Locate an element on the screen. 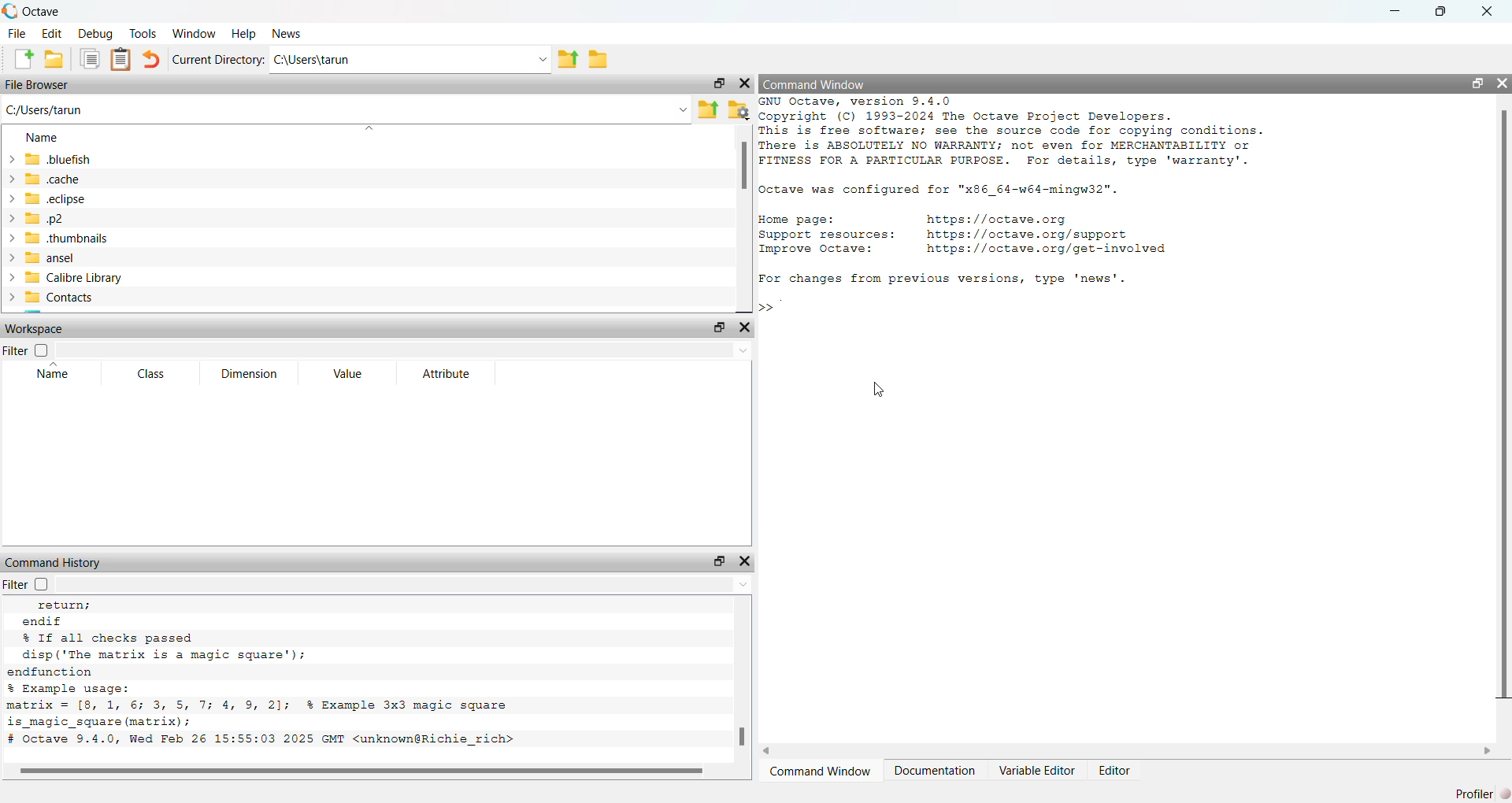 This screenshot has width=1512, height=803. New folder is located at coordinates (55, 59).